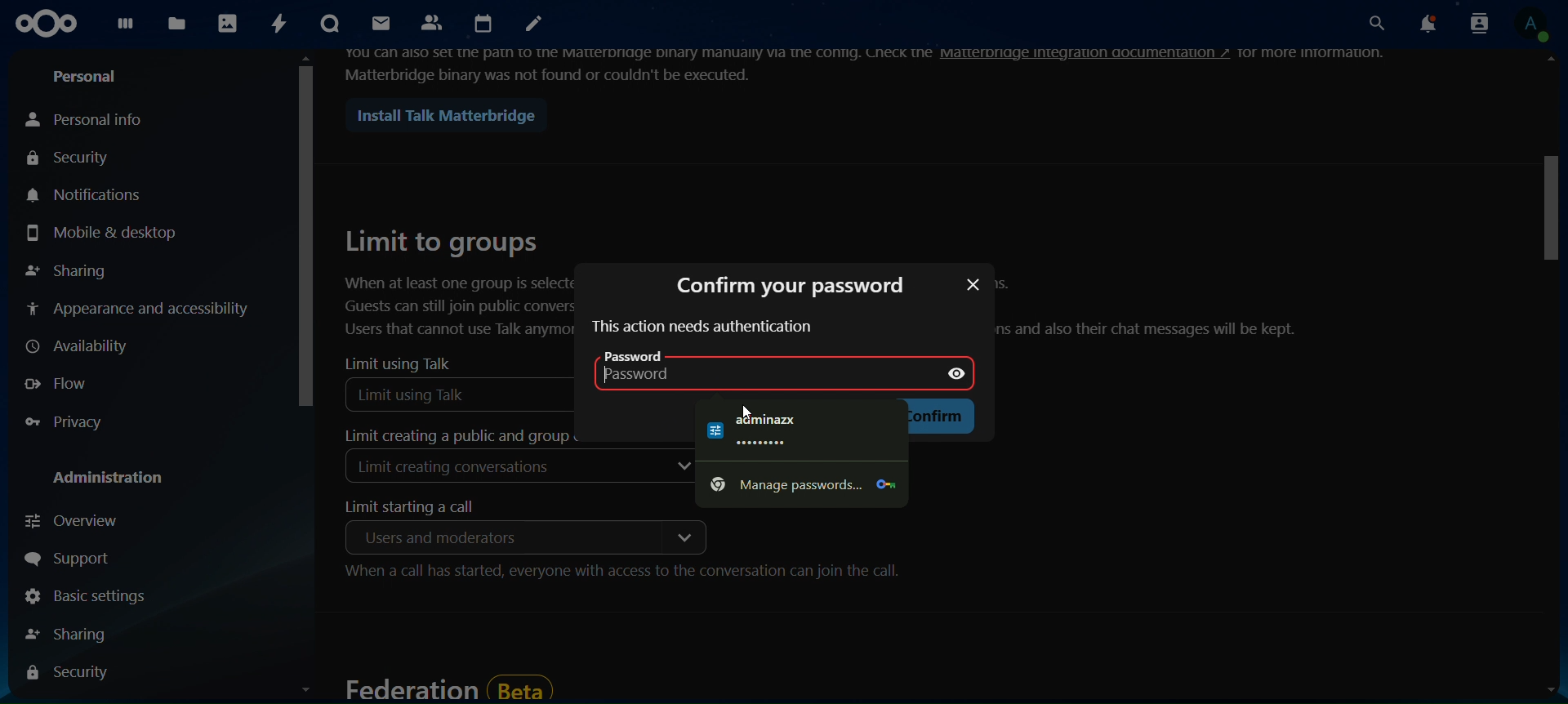 The image size is (1568, 704). Describe the element at coordinates (959, 371) in the screenshot. I see `show password` at that location.